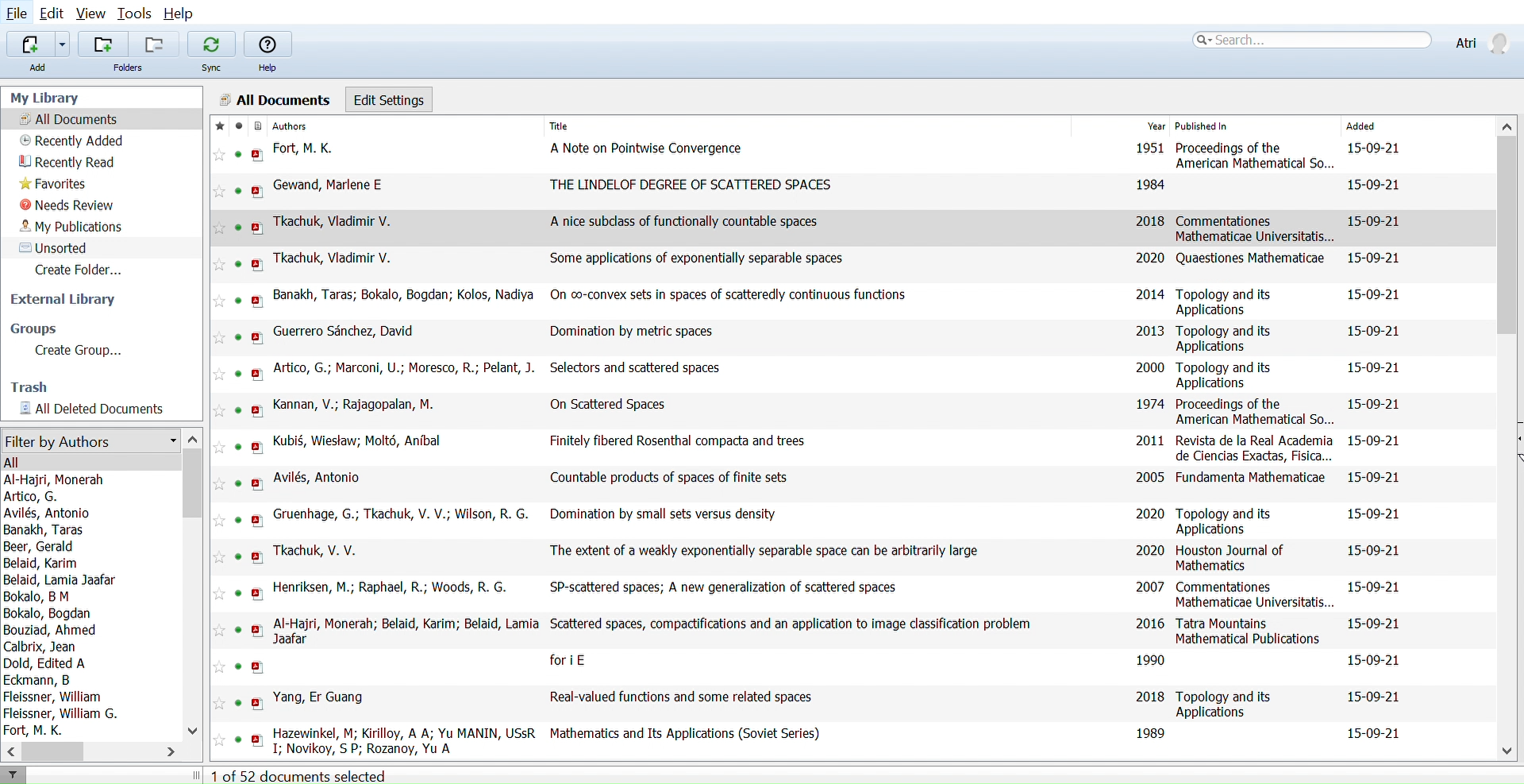 This screenshot has width=1524, height=784. I want to click on Banakh, Taras, so click(47, 530).